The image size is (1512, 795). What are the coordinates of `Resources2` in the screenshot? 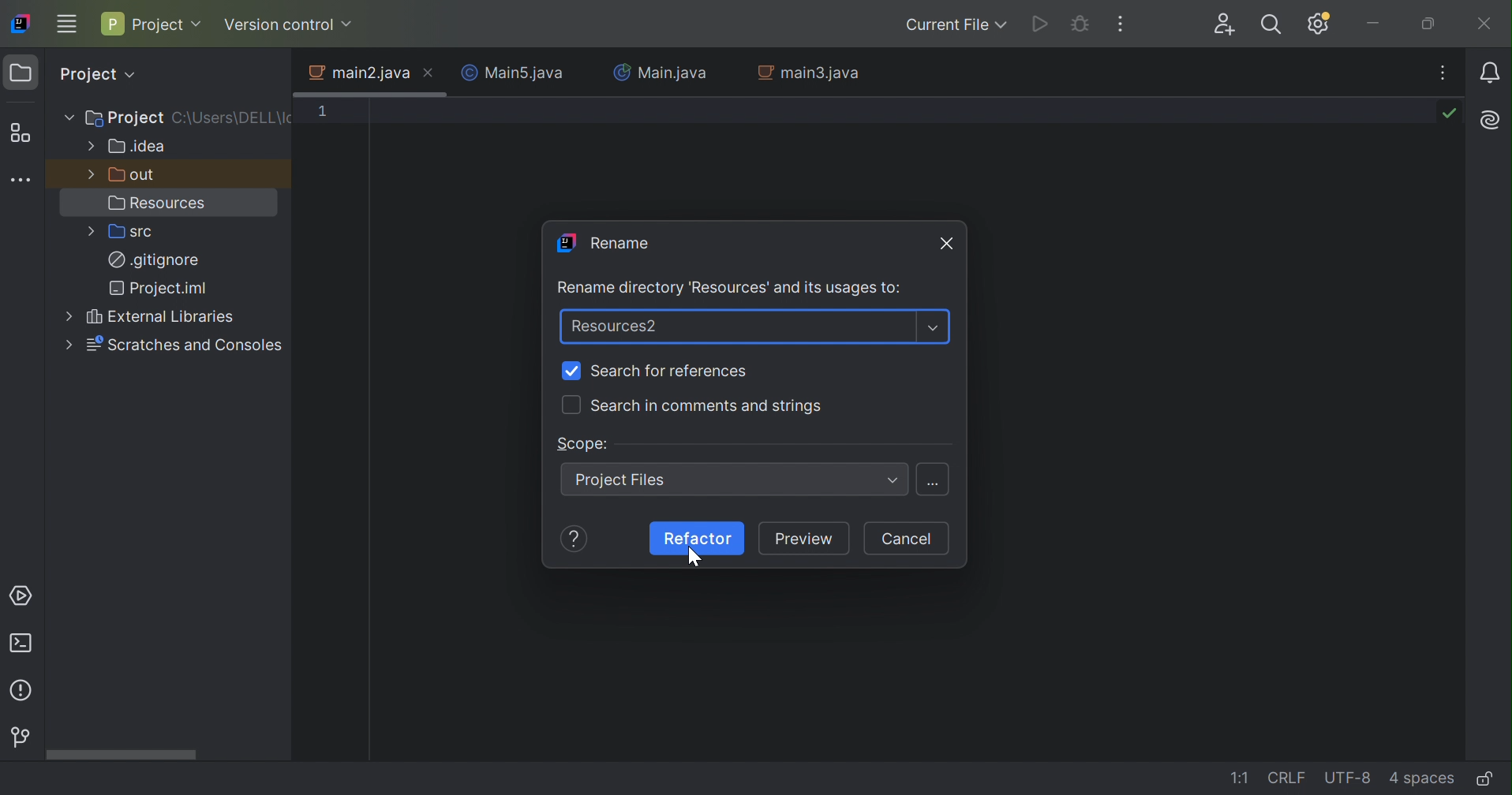 It's located at (616, 327).